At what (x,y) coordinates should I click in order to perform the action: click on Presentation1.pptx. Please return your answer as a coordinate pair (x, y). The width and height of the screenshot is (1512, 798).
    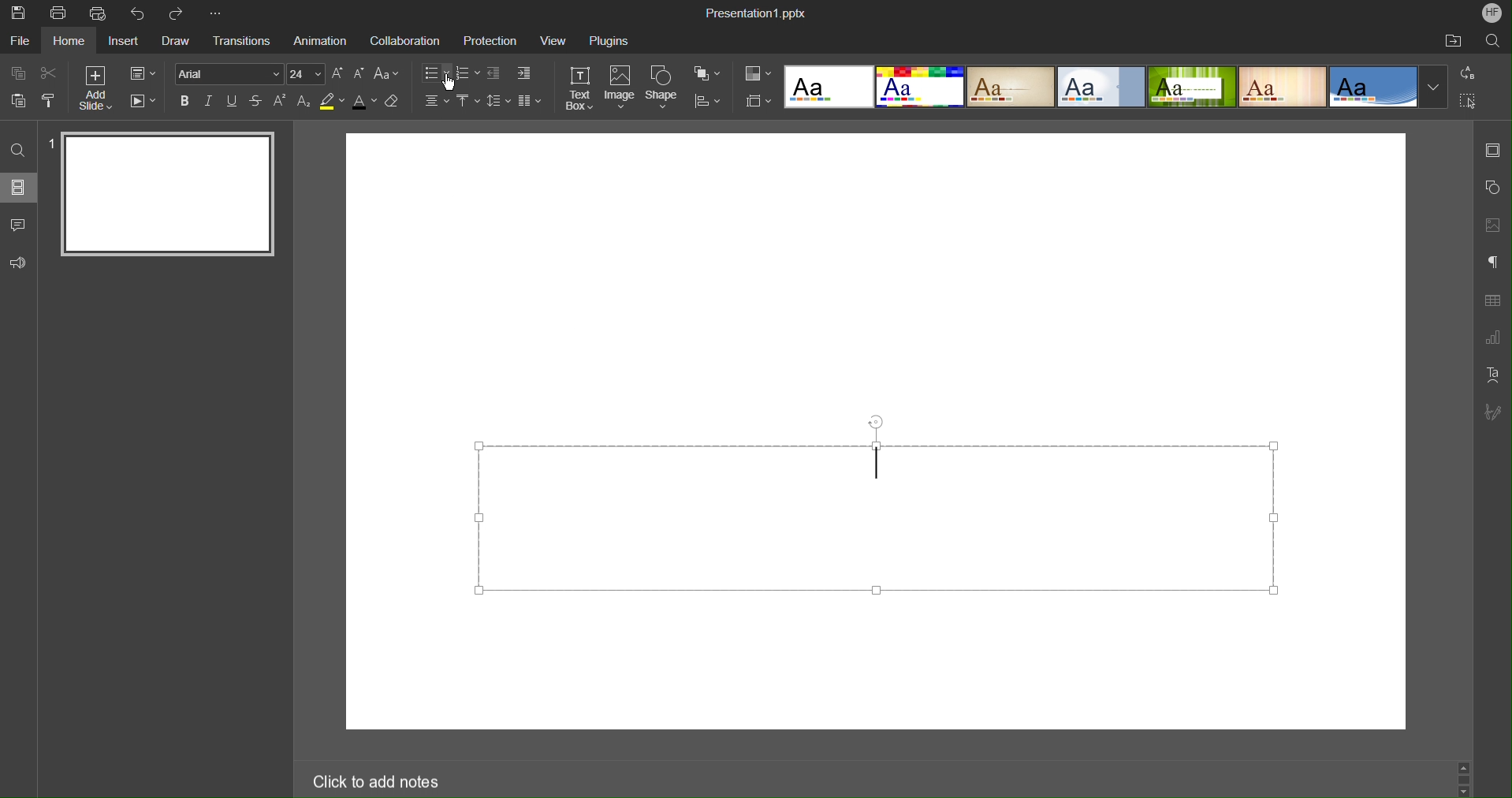
    Looking at the image, I should click on (755, 11).